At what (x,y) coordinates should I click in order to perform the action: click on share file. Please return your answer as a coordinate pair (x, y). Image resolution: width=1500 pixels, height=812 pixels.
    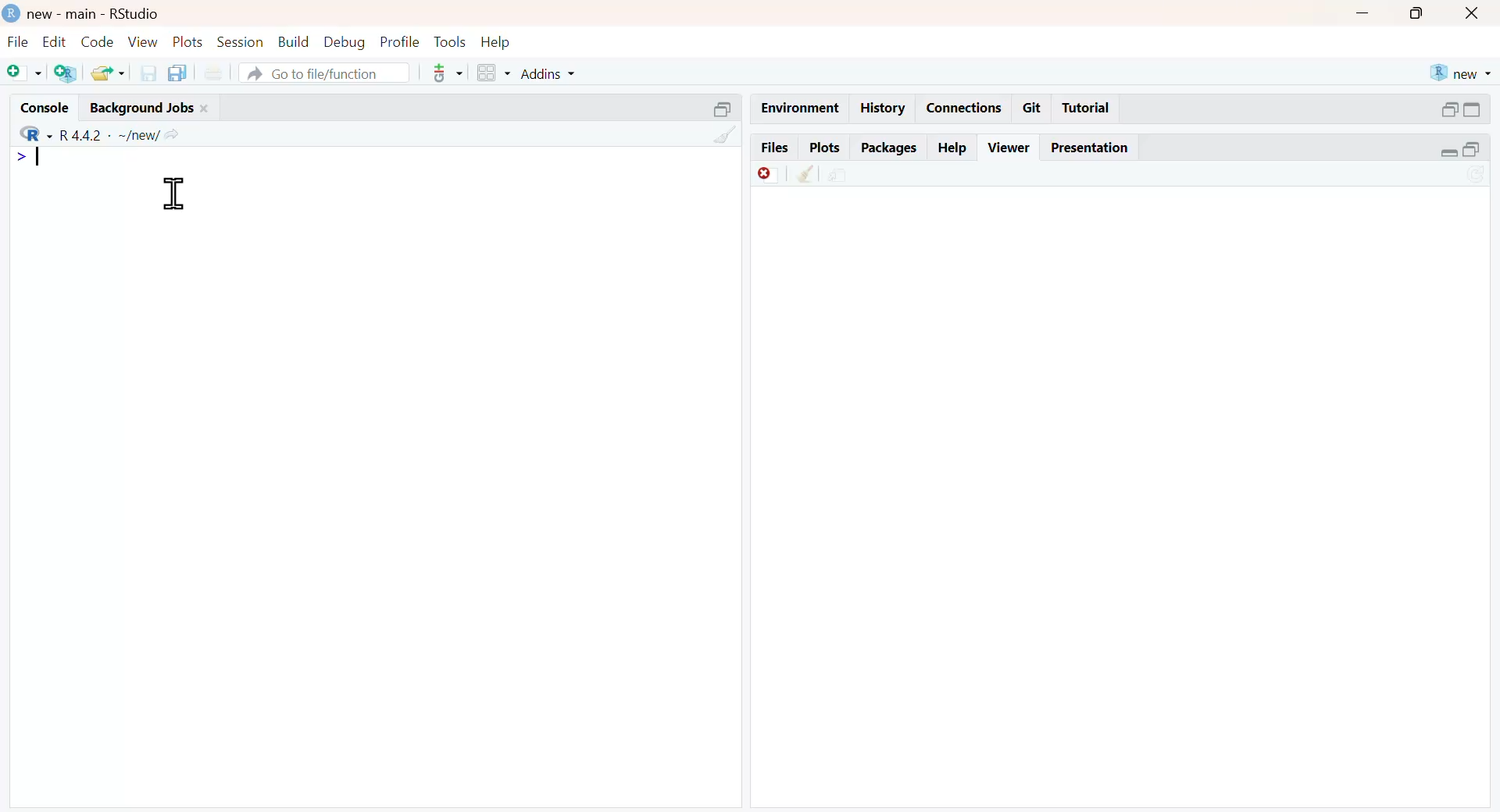
    Looking at the image, I should click on (841, 176).